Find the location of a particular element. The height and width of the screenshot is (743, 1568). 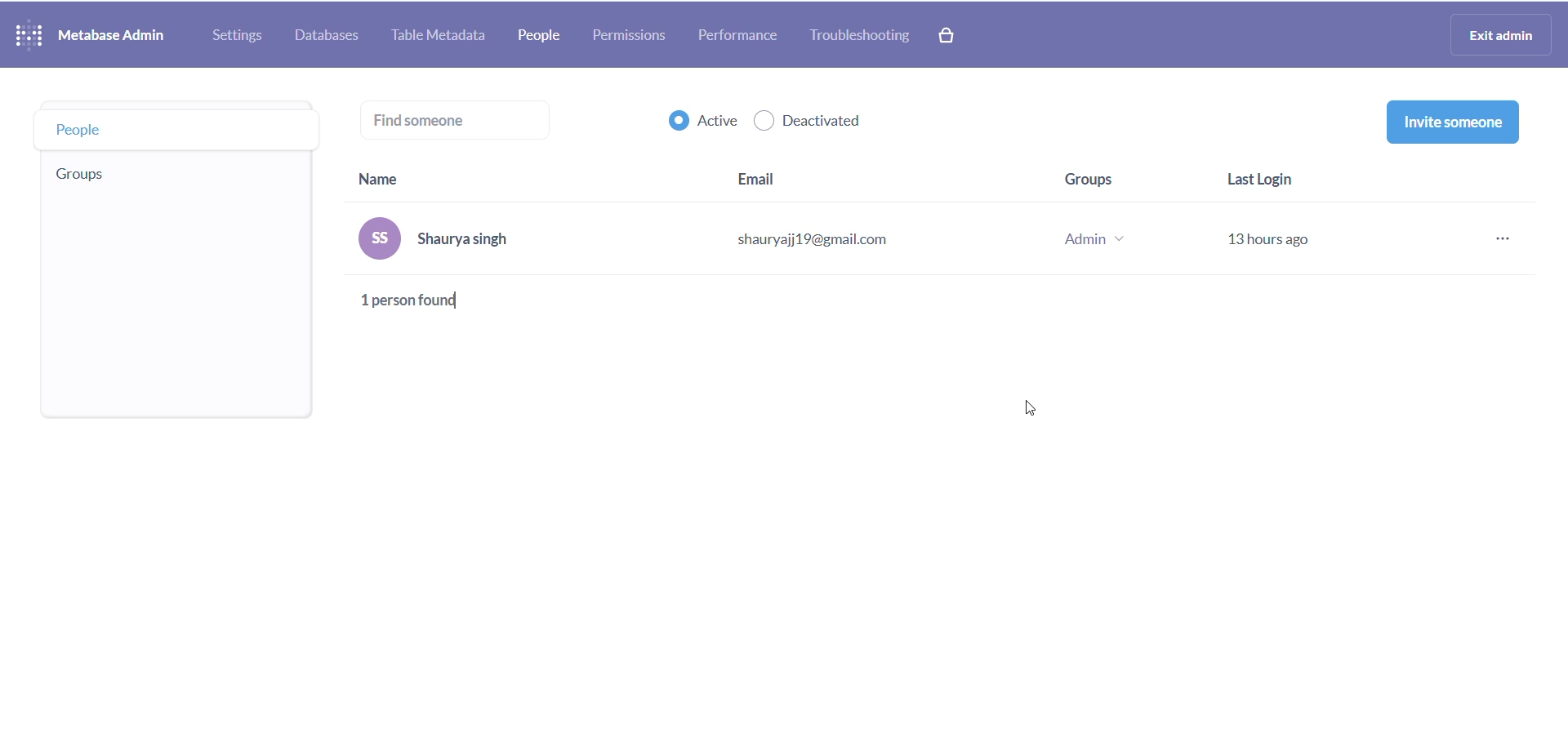

table metadata is located at coordinates (439, 34).